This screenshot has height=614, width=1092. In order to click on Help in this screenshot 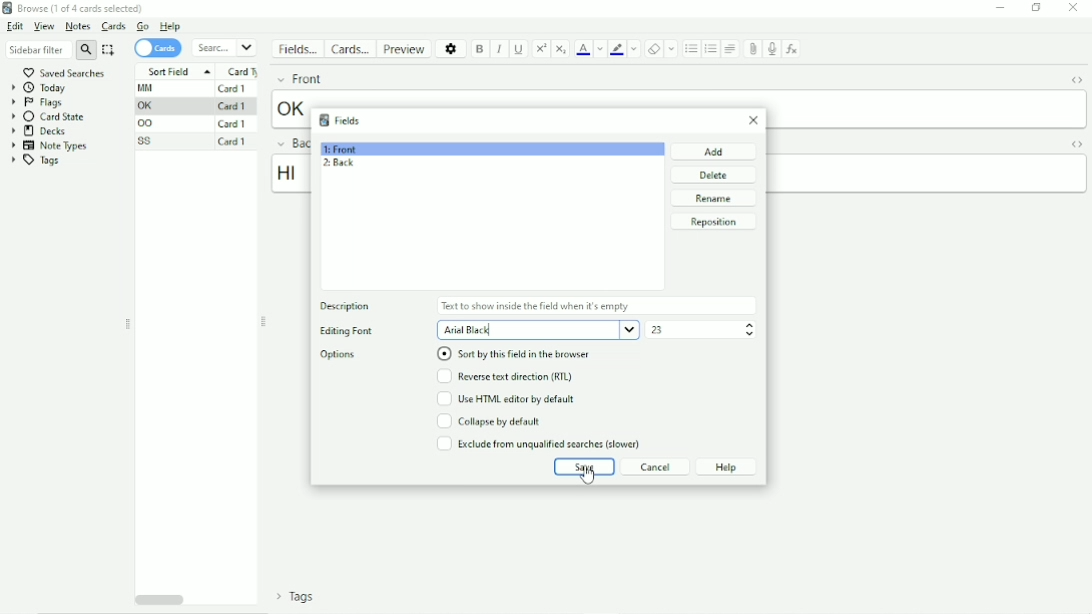, I will do `click(728, 466)`.